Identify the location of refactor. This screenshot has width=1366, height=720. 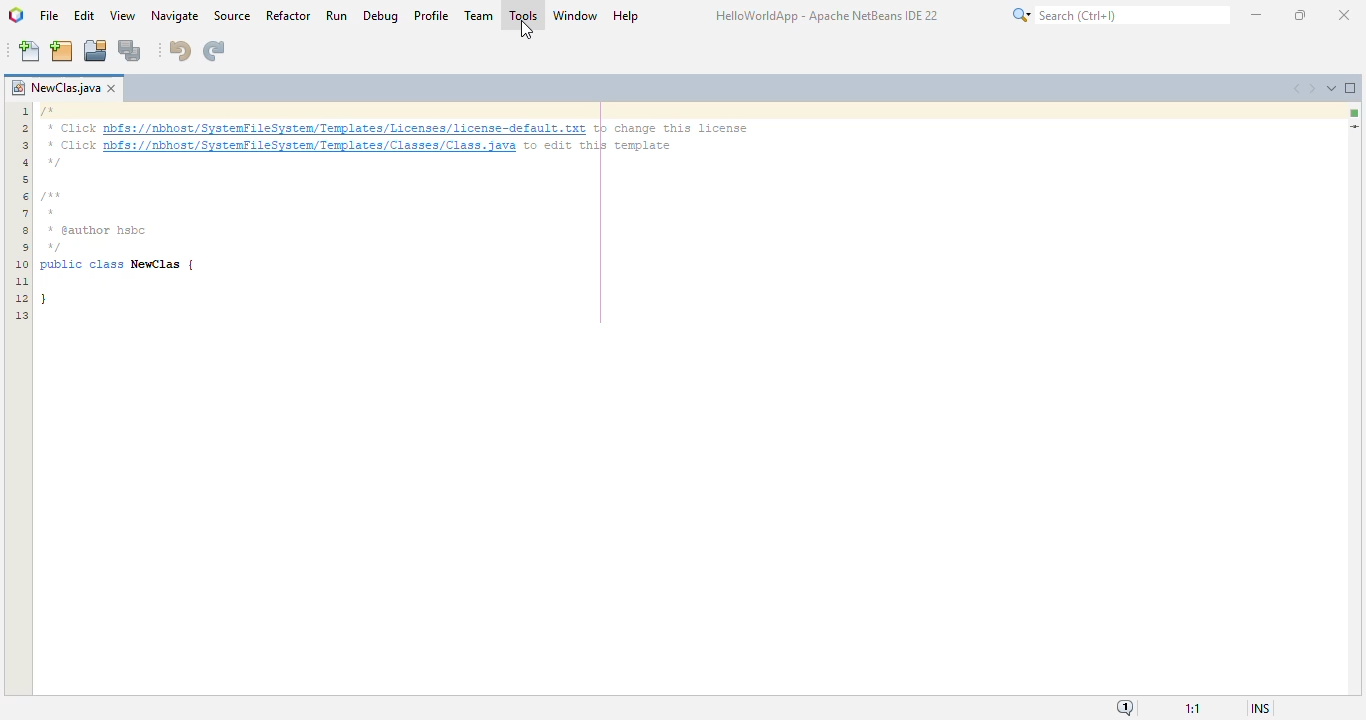
(288, 15).